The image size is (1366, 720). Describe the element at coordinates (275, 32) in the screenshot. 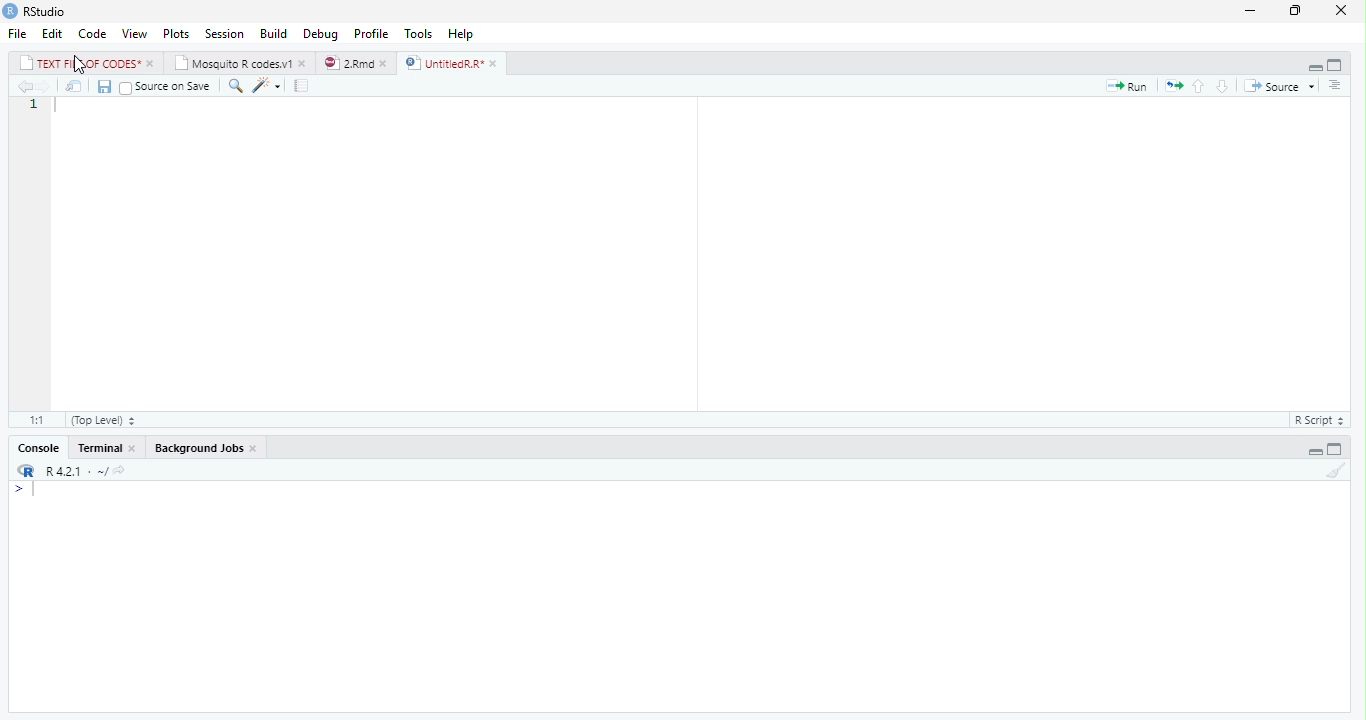

I see `Build` at that location.